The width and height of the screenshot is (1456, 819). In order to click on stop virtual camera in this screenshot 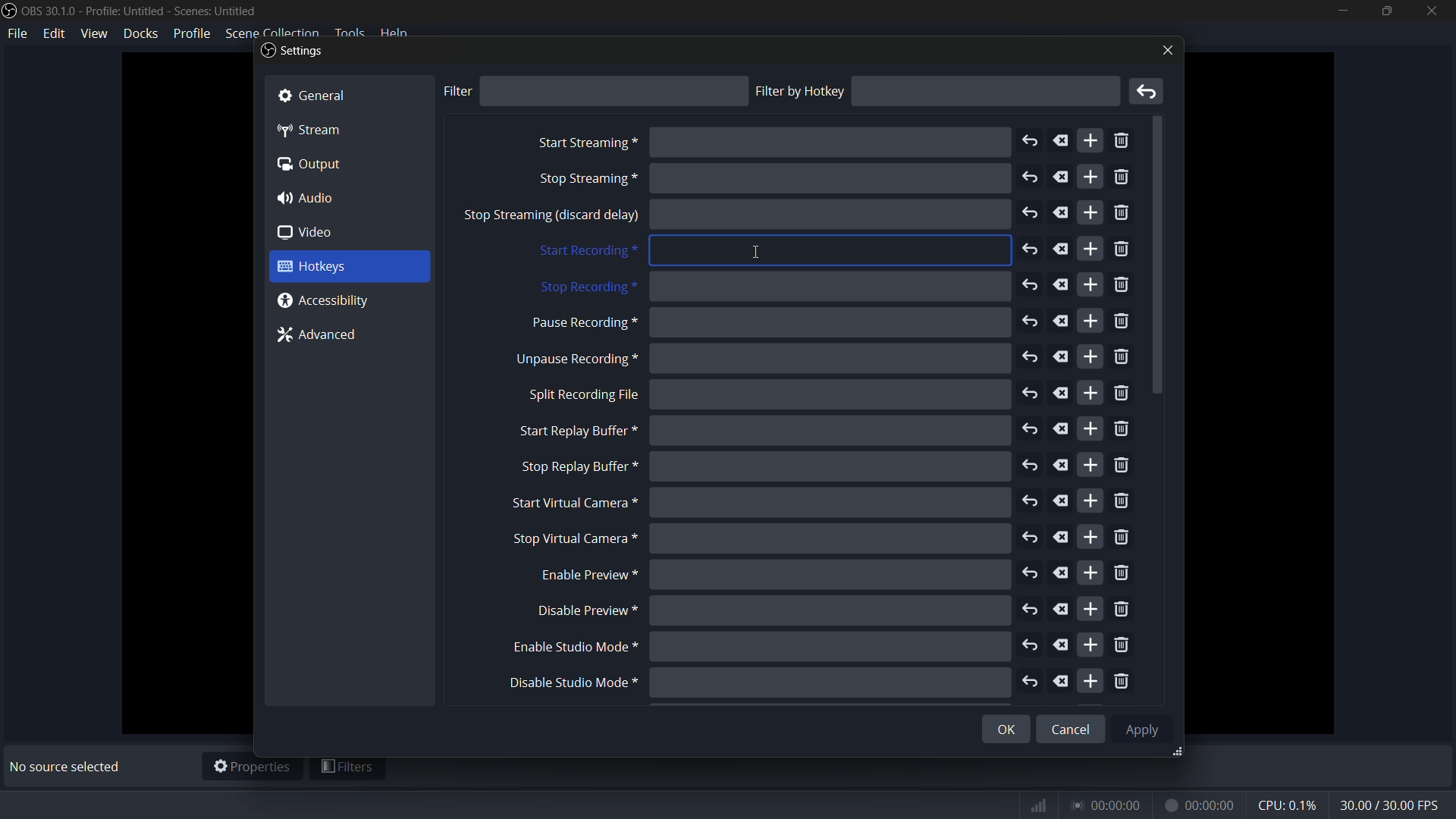, I will do `click(571, 539)`.